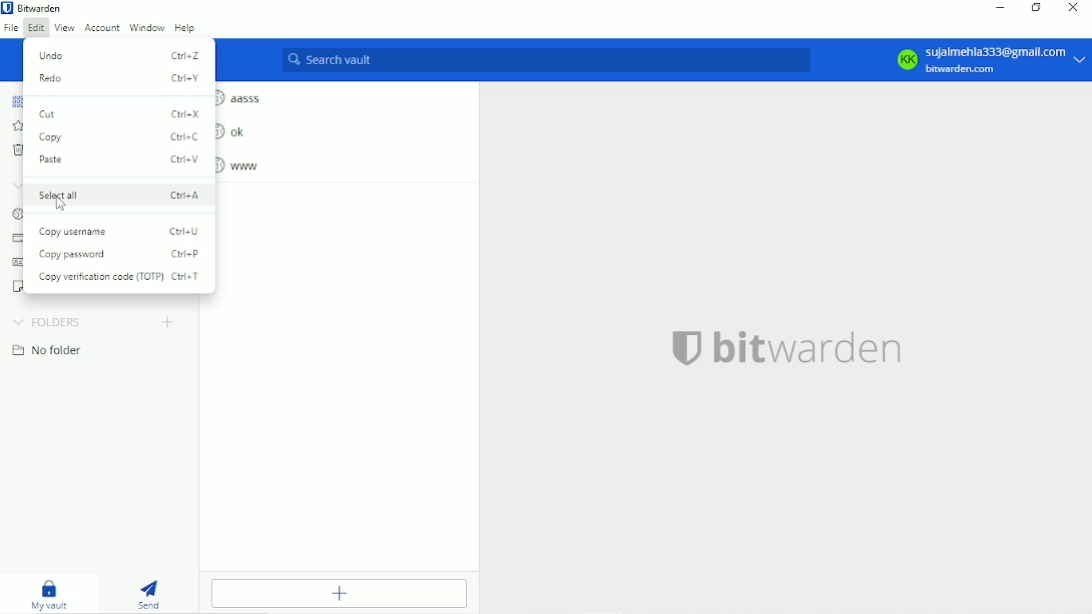 This screenshot has width=1092, height=614. Describe the element at coordinates (125, 278) in the screenshot. I see `Copy verification code` at that location.